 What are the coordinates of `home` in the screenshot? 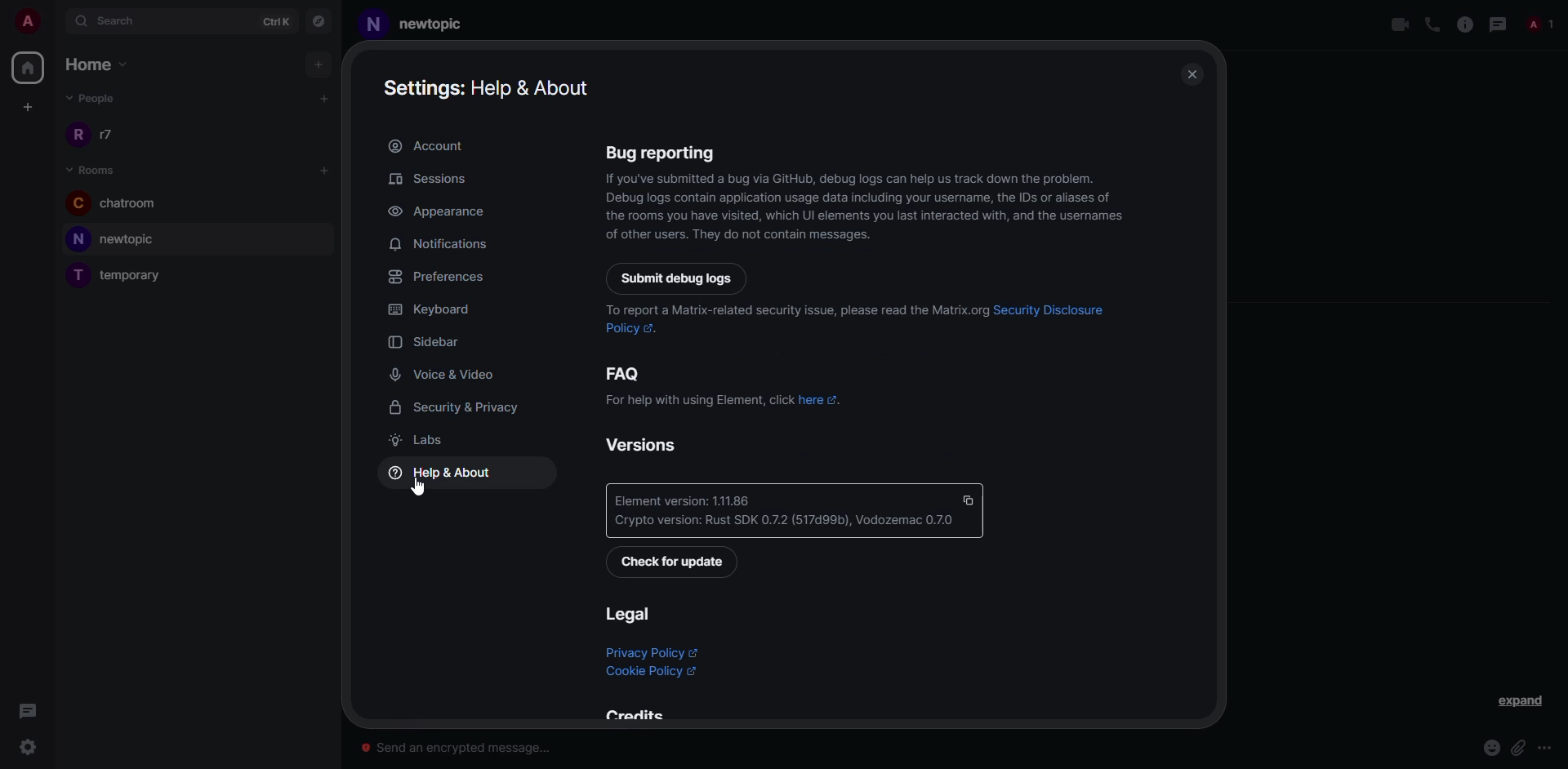 It's located at (27, 68).